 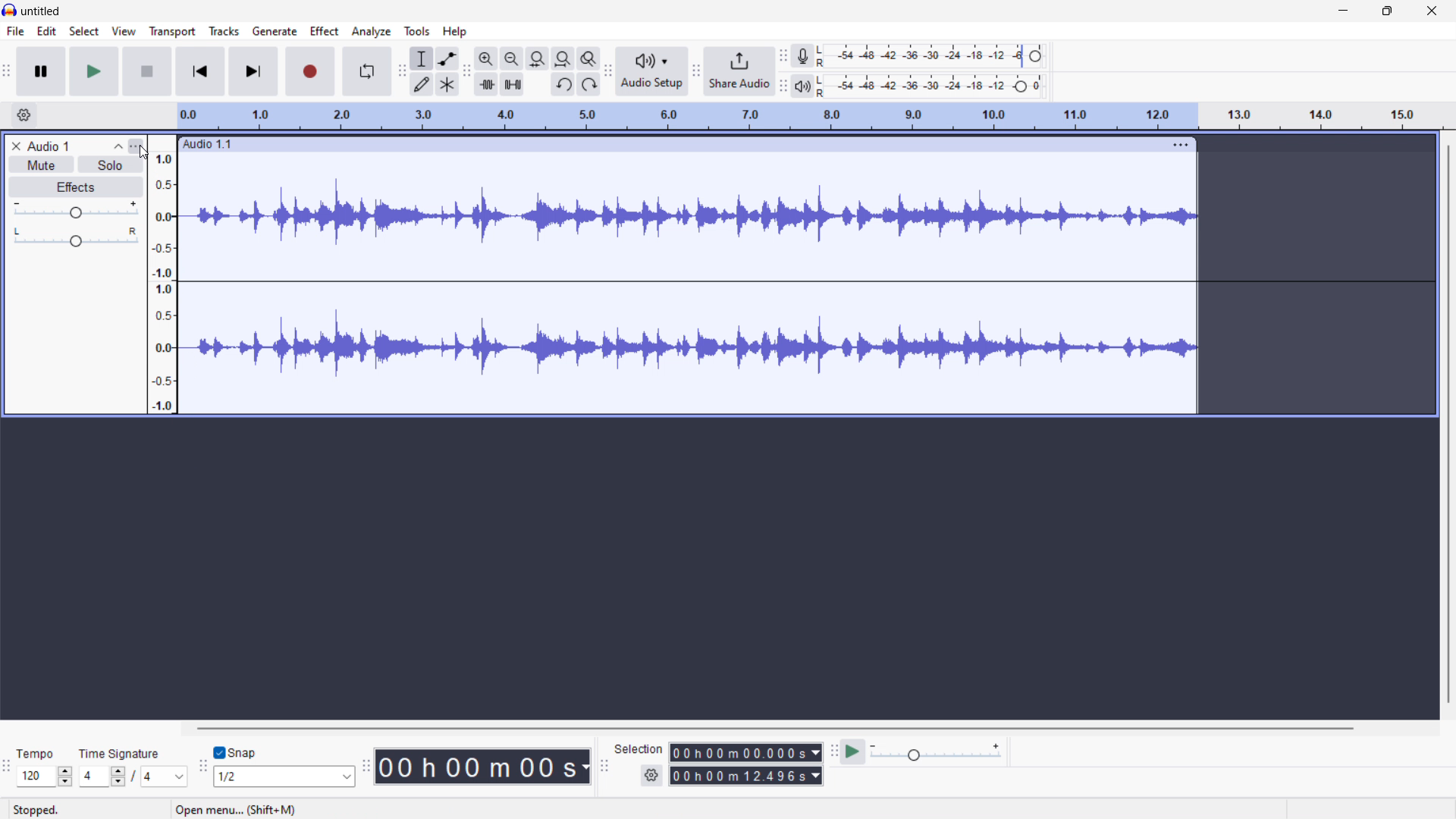 What do you see at coordinates (199, 71) in the screenshot?
I see `skip to start` at bounding box center [199, 71].